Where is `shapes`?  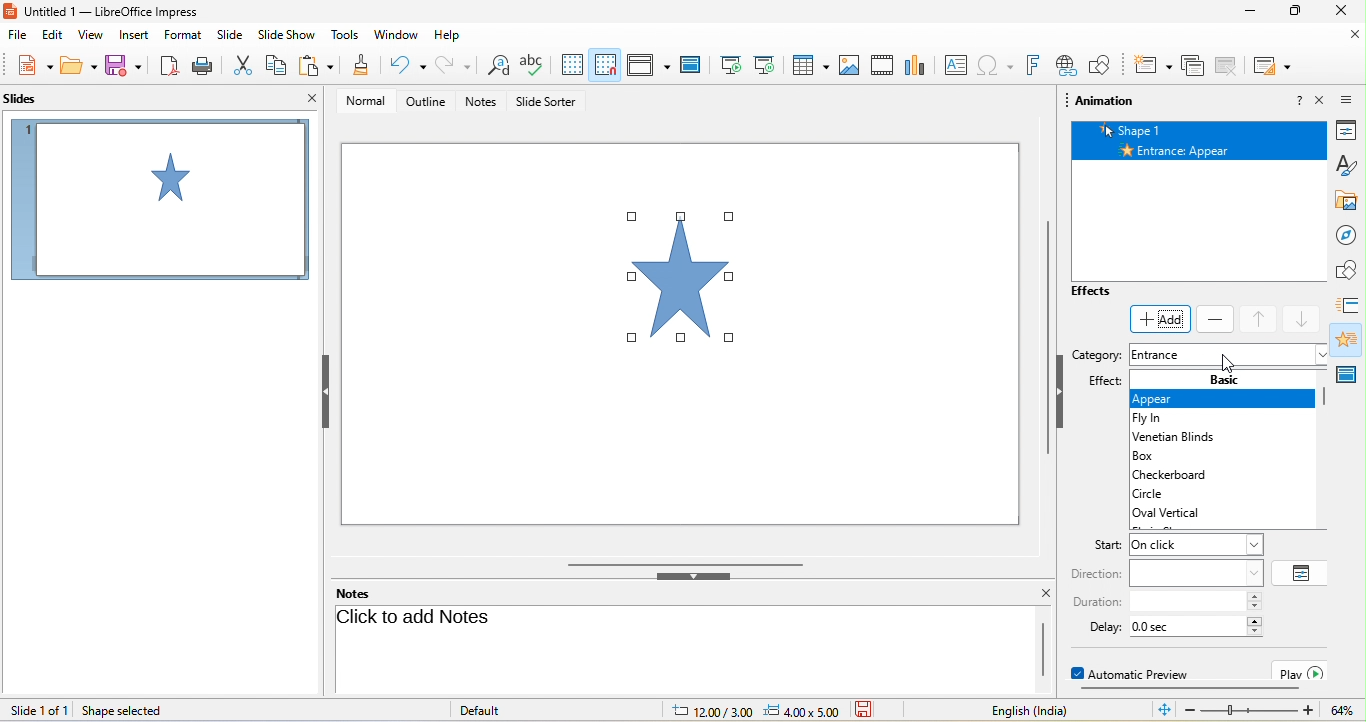
shapes is located at coordinates (1351, 269).